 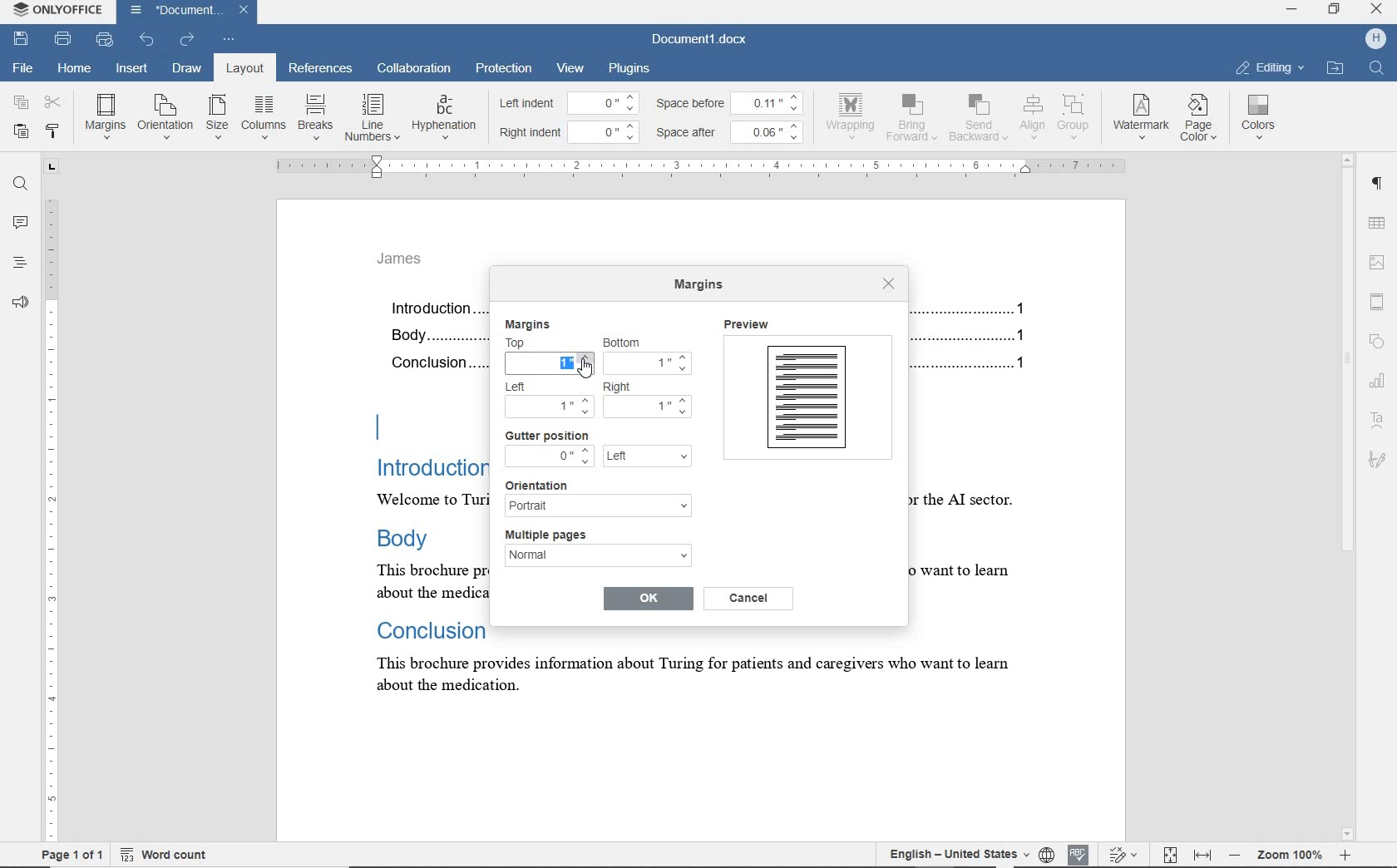 What do you see at coordinates (165, 116) in the screenshot?
I see `orientation` at bounding box center [165, 116].